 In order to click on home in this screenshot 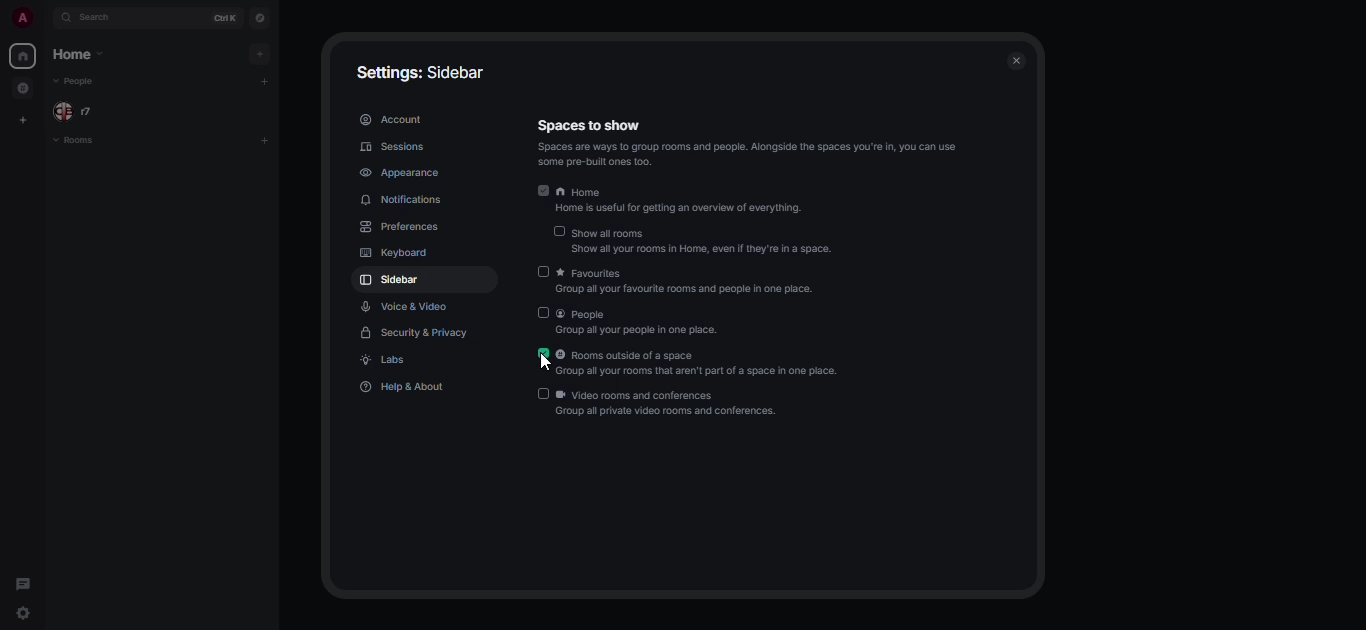, I will do `click(77, 55)`.